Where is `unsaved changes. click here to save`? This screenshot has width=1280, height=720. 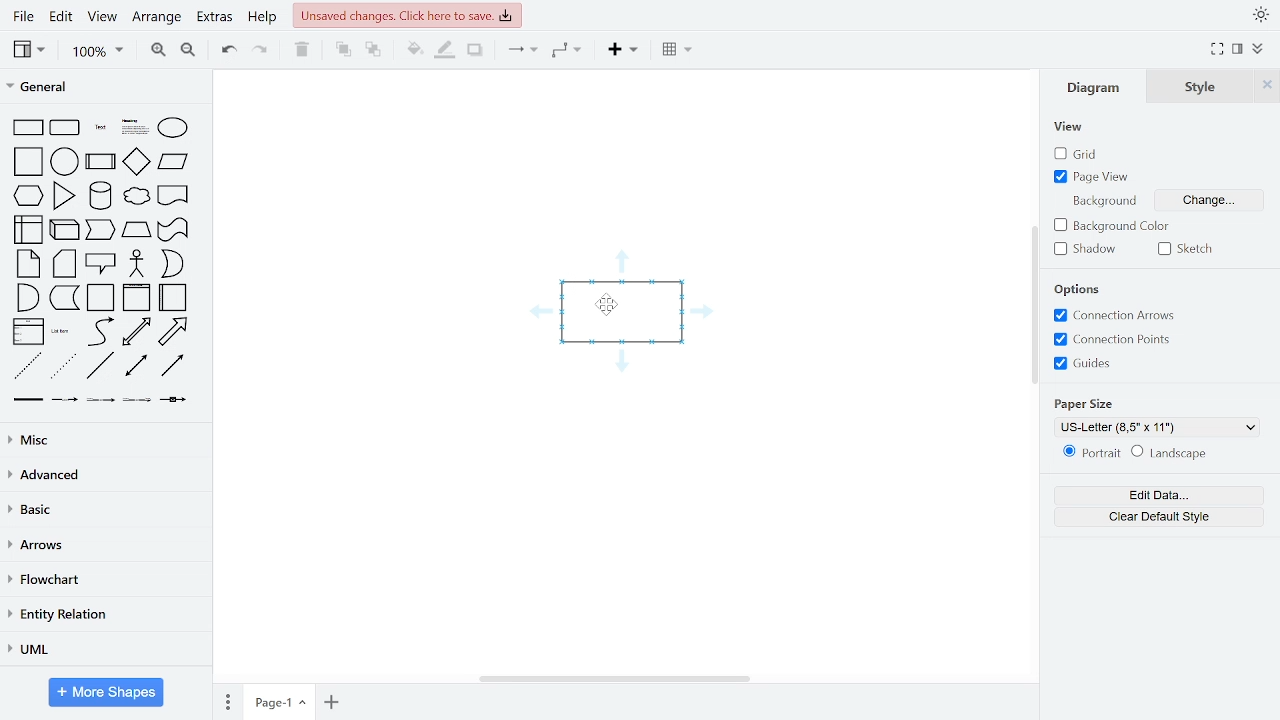
unsaved changes. click here to save is located at coordinates (406, 15).